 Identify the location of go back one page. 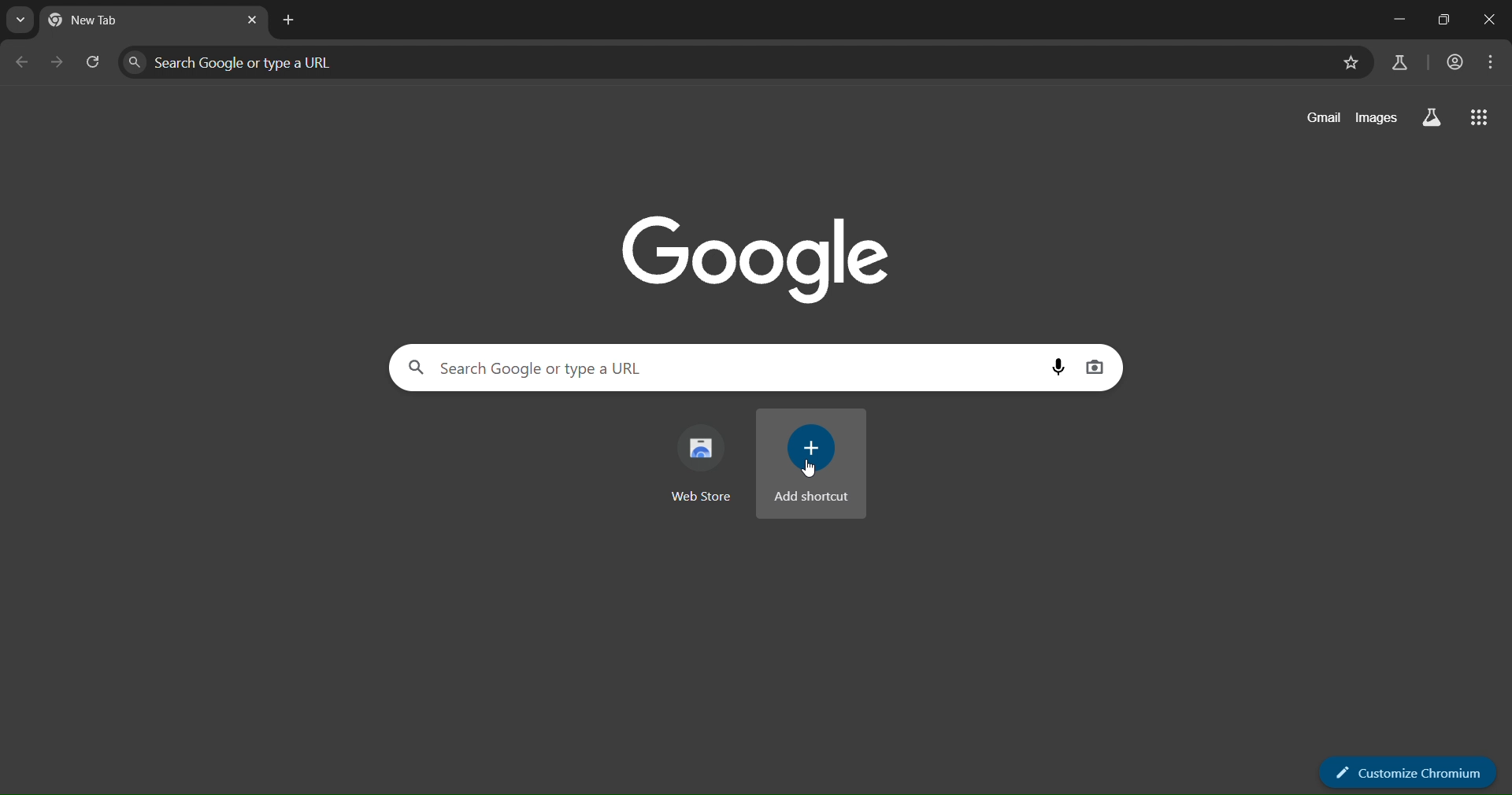
(21, 66).